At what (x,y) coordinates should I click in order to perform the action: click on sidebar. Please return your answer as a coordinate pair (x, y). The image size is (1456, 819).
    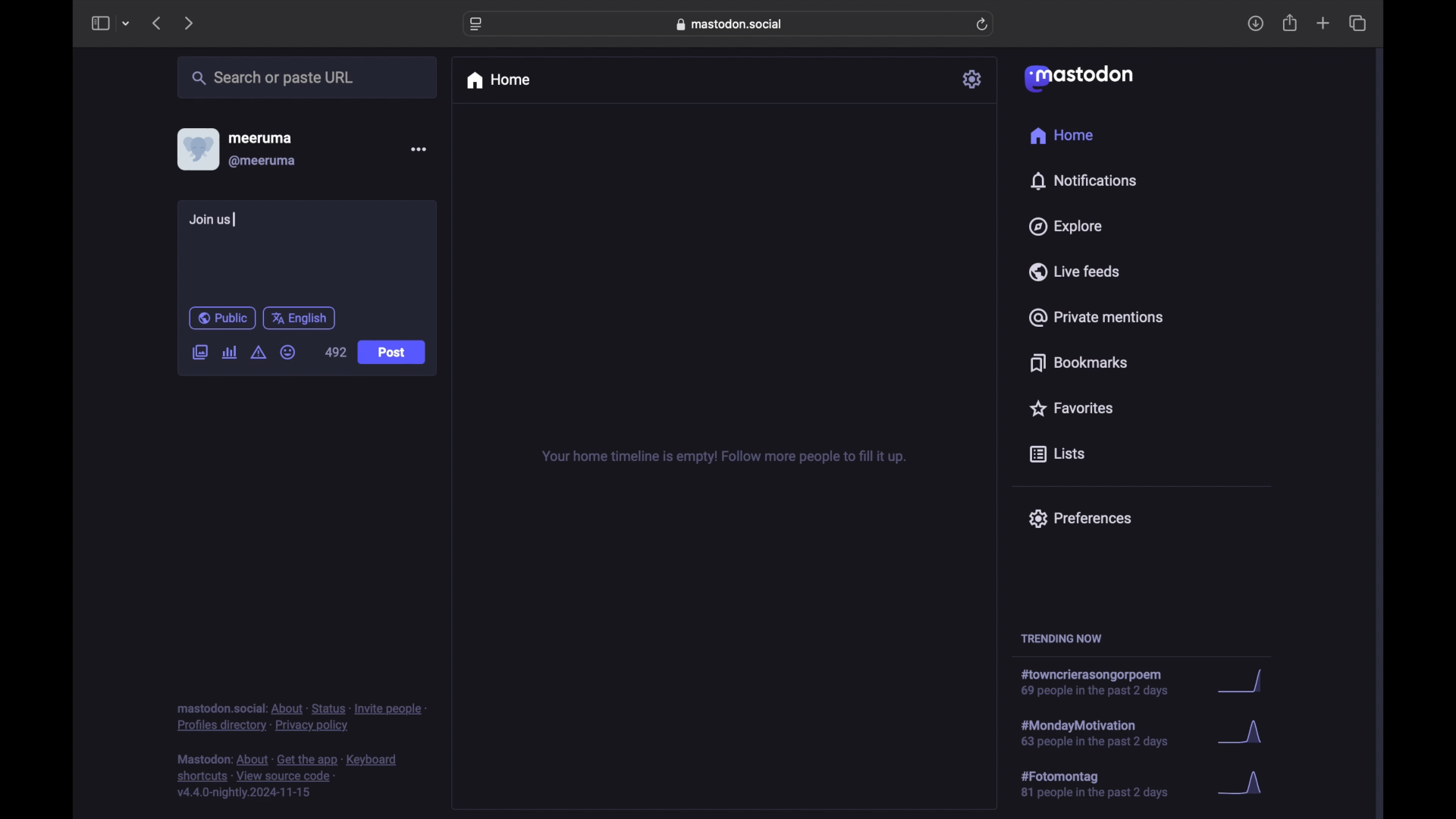
    Looking at the image, I should click on (99, 23).